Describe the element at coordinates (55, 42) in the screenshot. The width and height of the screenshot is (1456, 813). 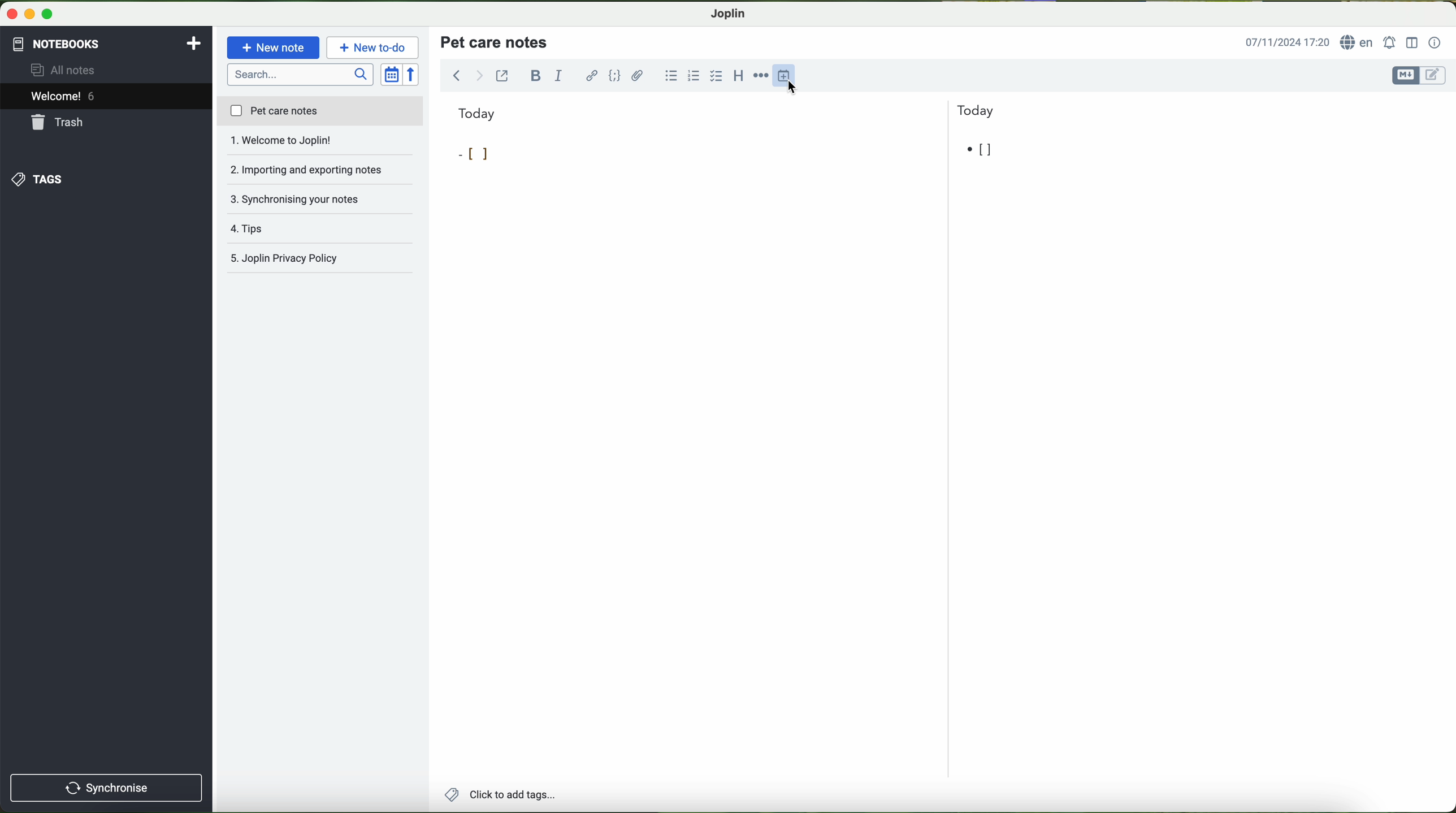
I see `notebooks` at that location.